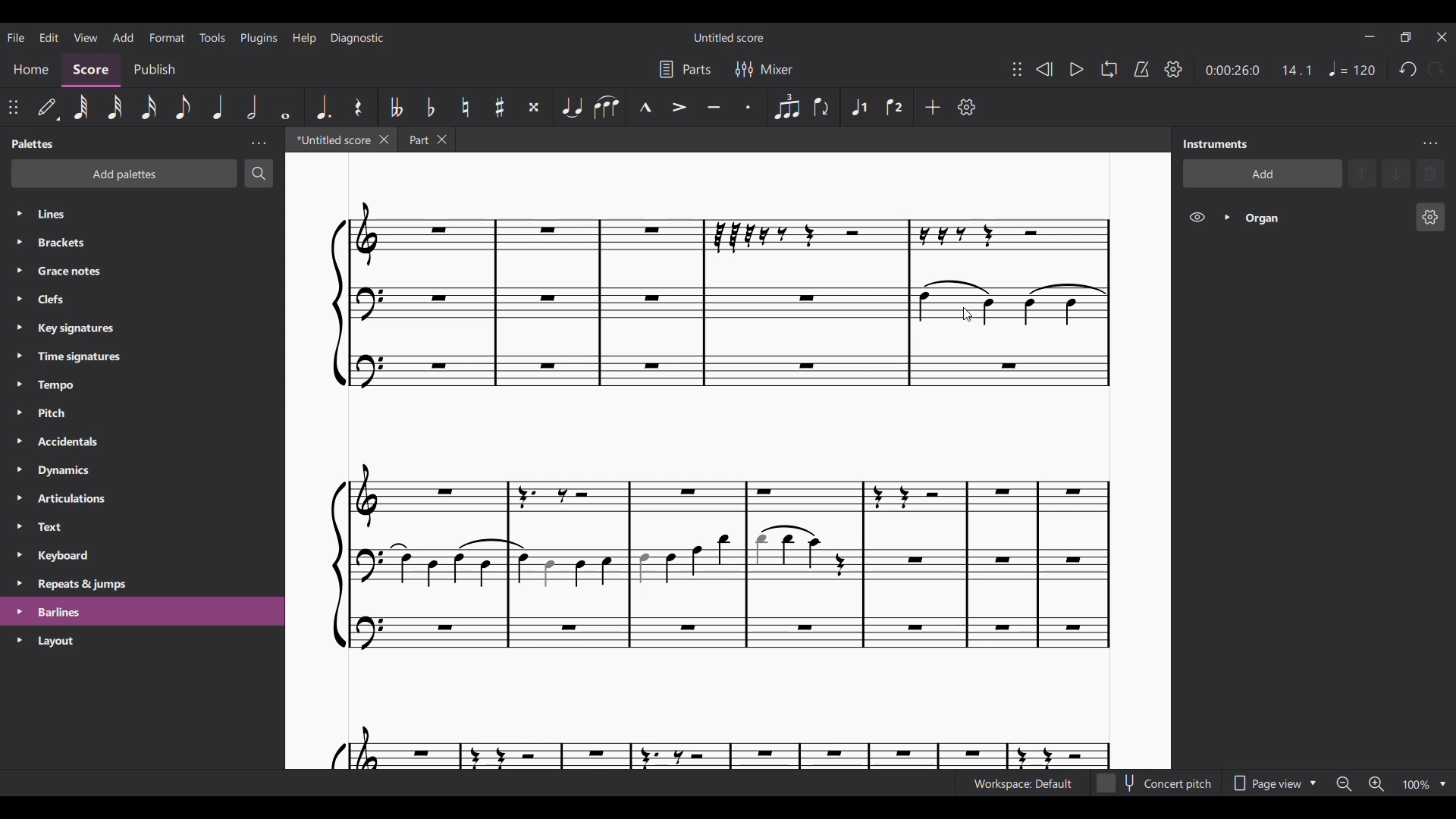 The image size is (1456, 819). What do you see at coordinates (857, 107) in the screenshot?
I see `Voice 1` at bounding box center [857, 107].